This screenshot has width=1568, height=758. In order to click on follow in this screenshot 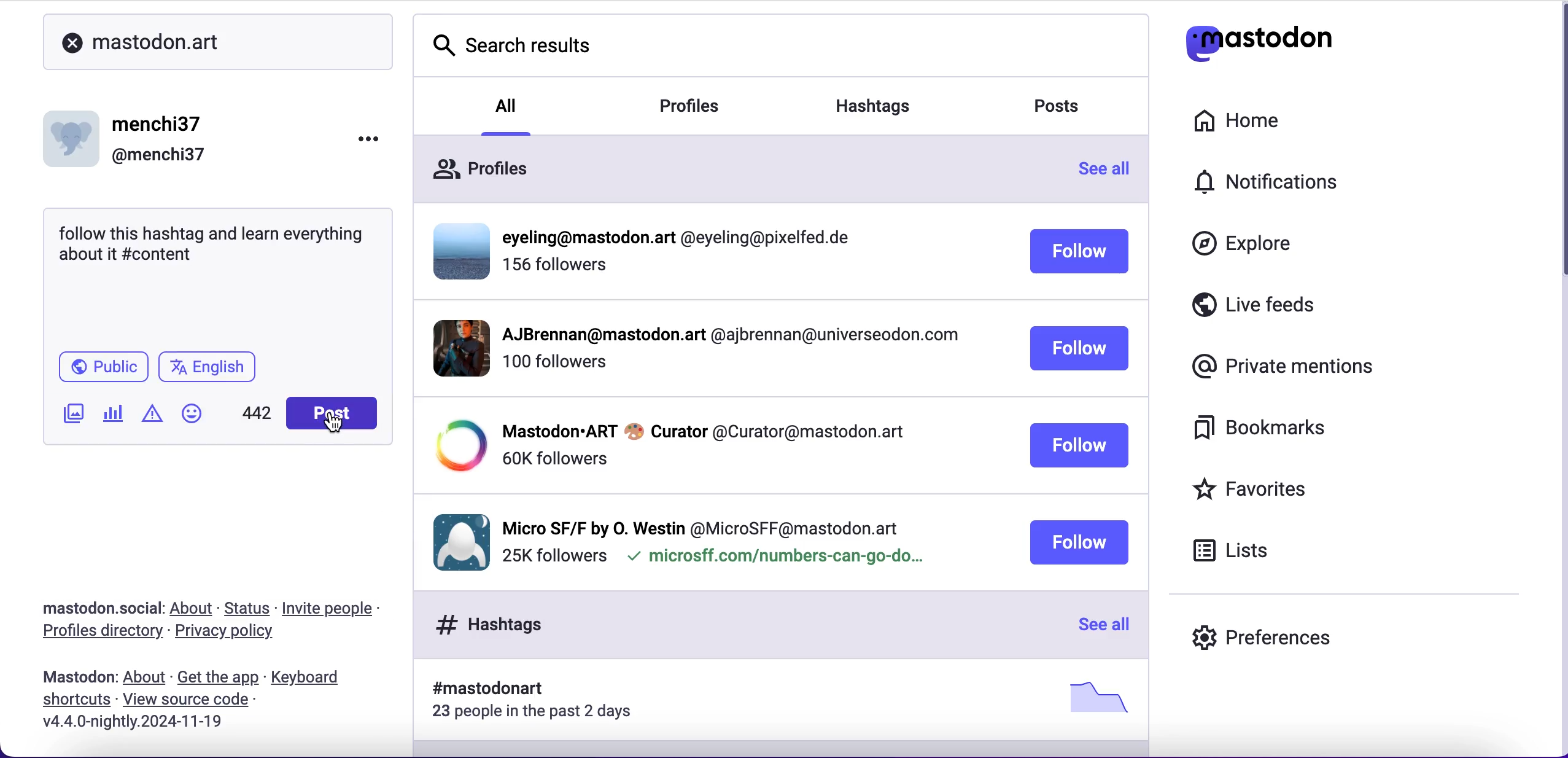, I will do `click(1078, 542)`.